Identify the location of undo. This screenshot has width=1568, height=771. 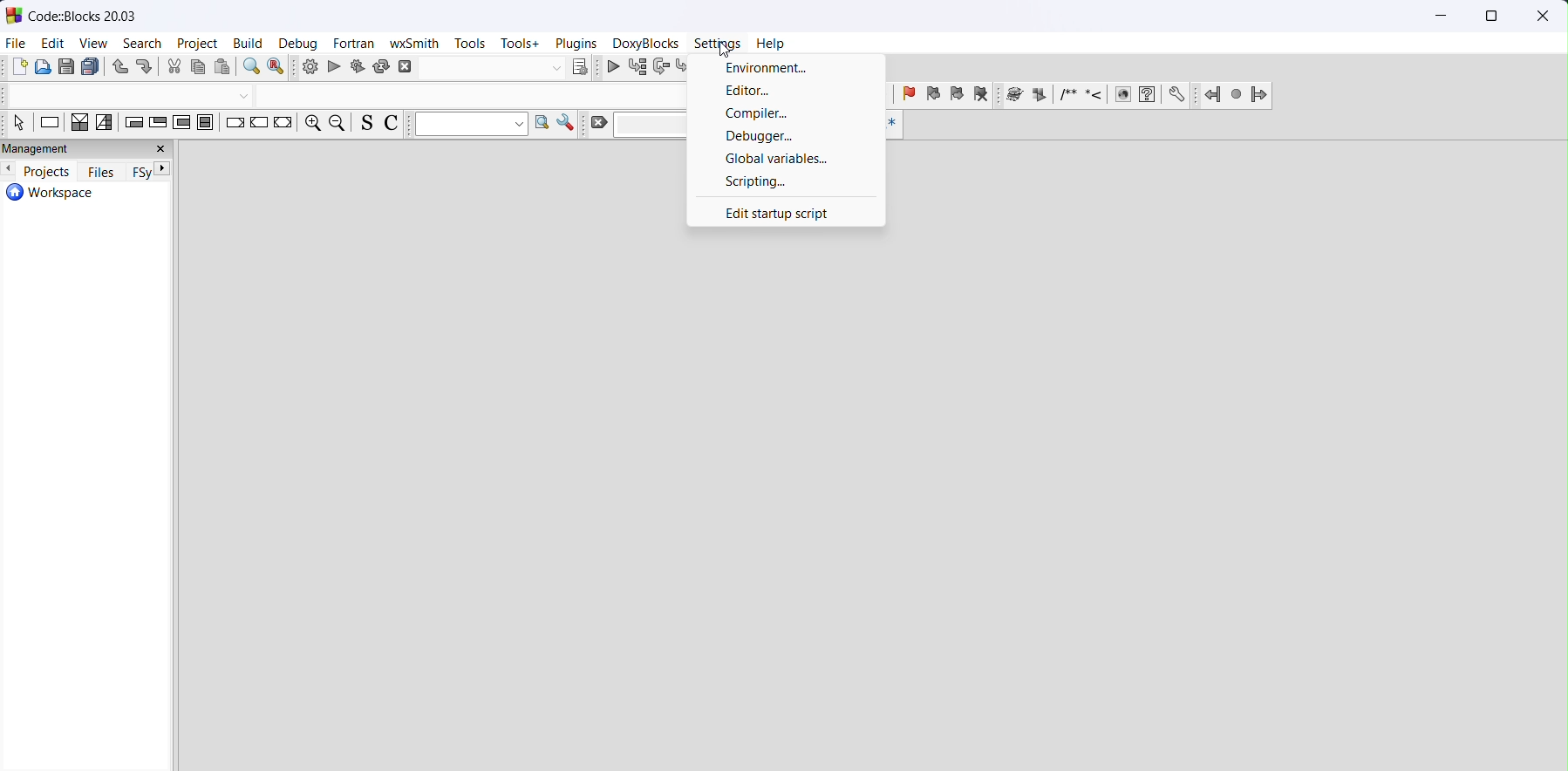
(121, 68).